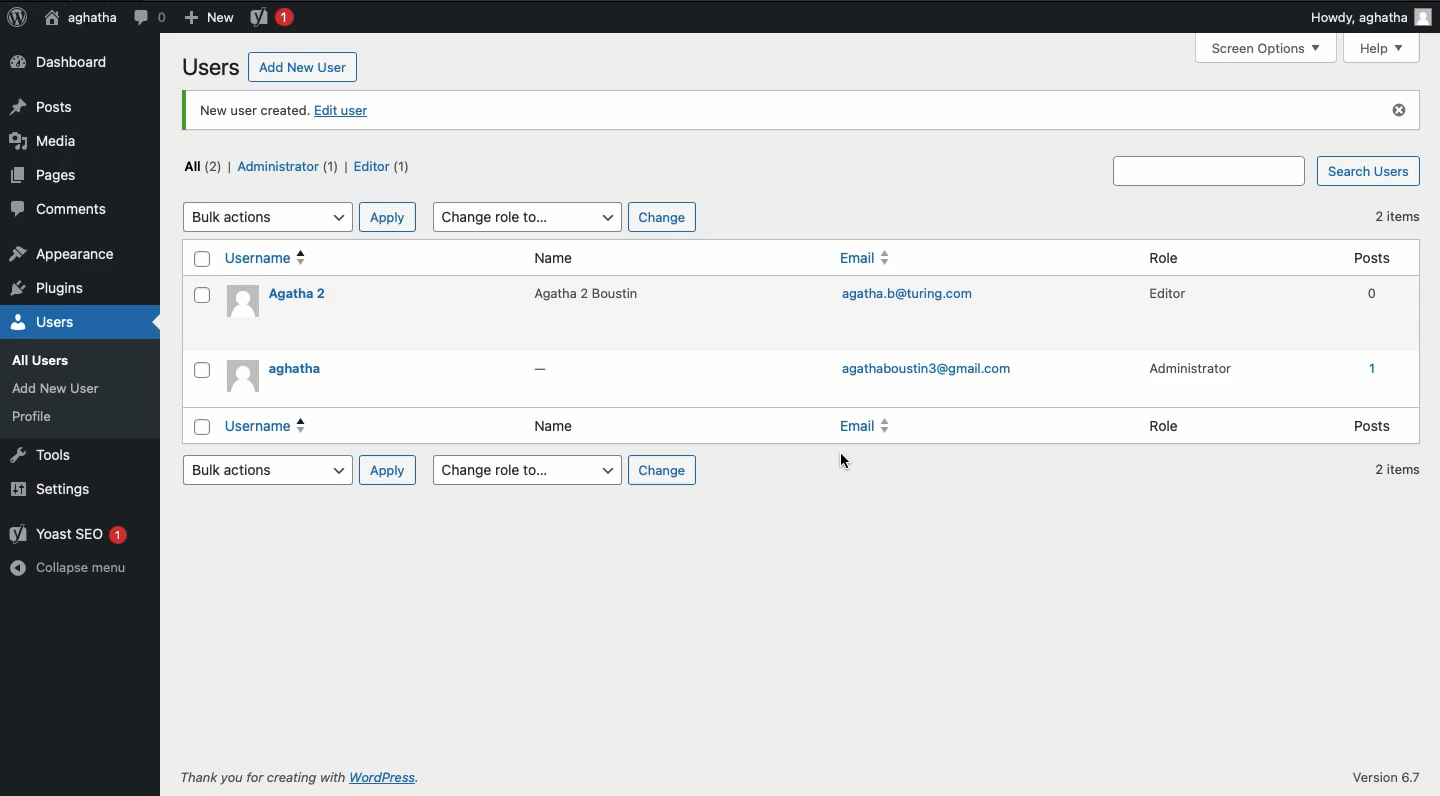 The height and width of the screenshot is (796, 1440). What do you see at coordinates (396, 779) in the screenshot?
I see `wordpress` at bounding box center [396, 779].